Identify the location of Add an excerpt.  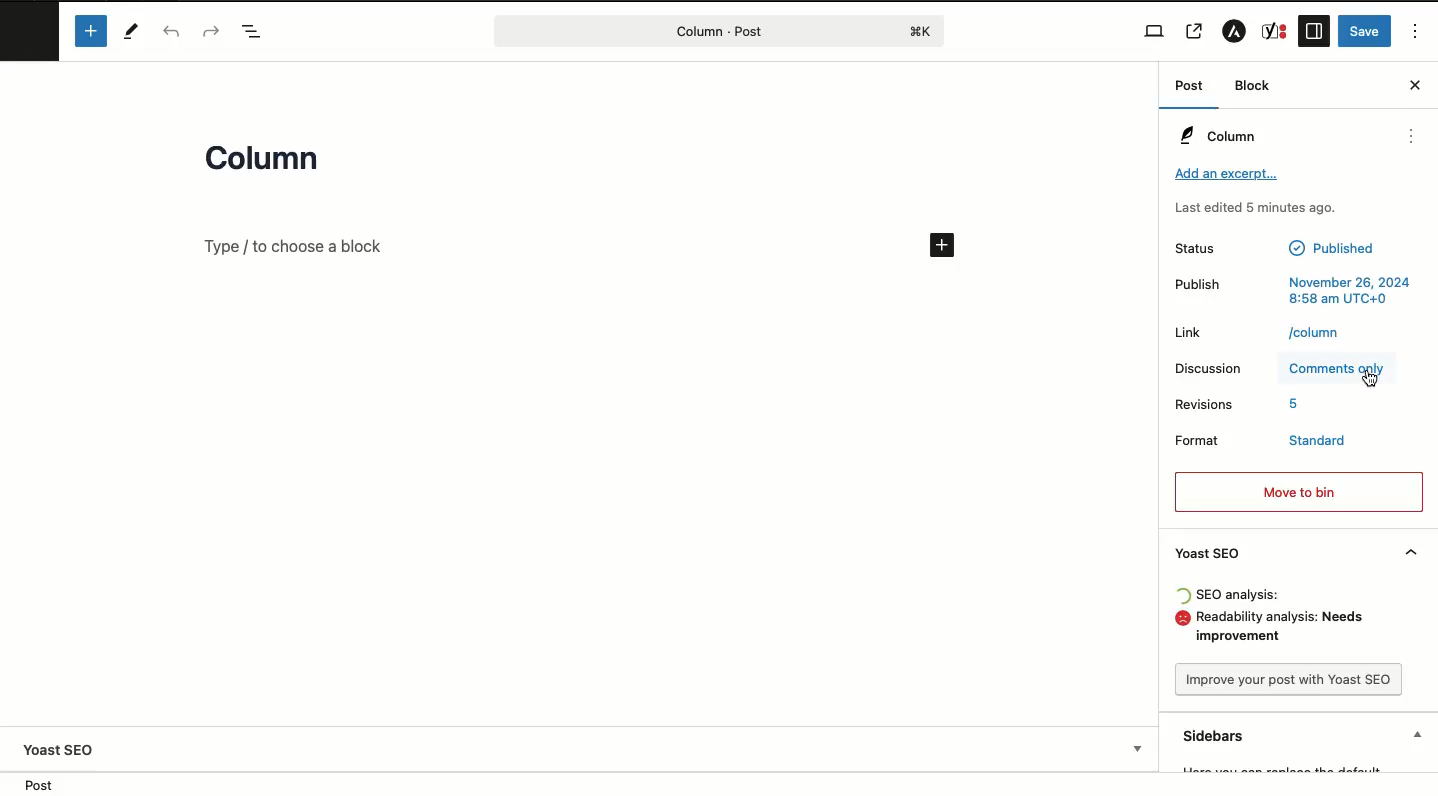
(1226, 176).